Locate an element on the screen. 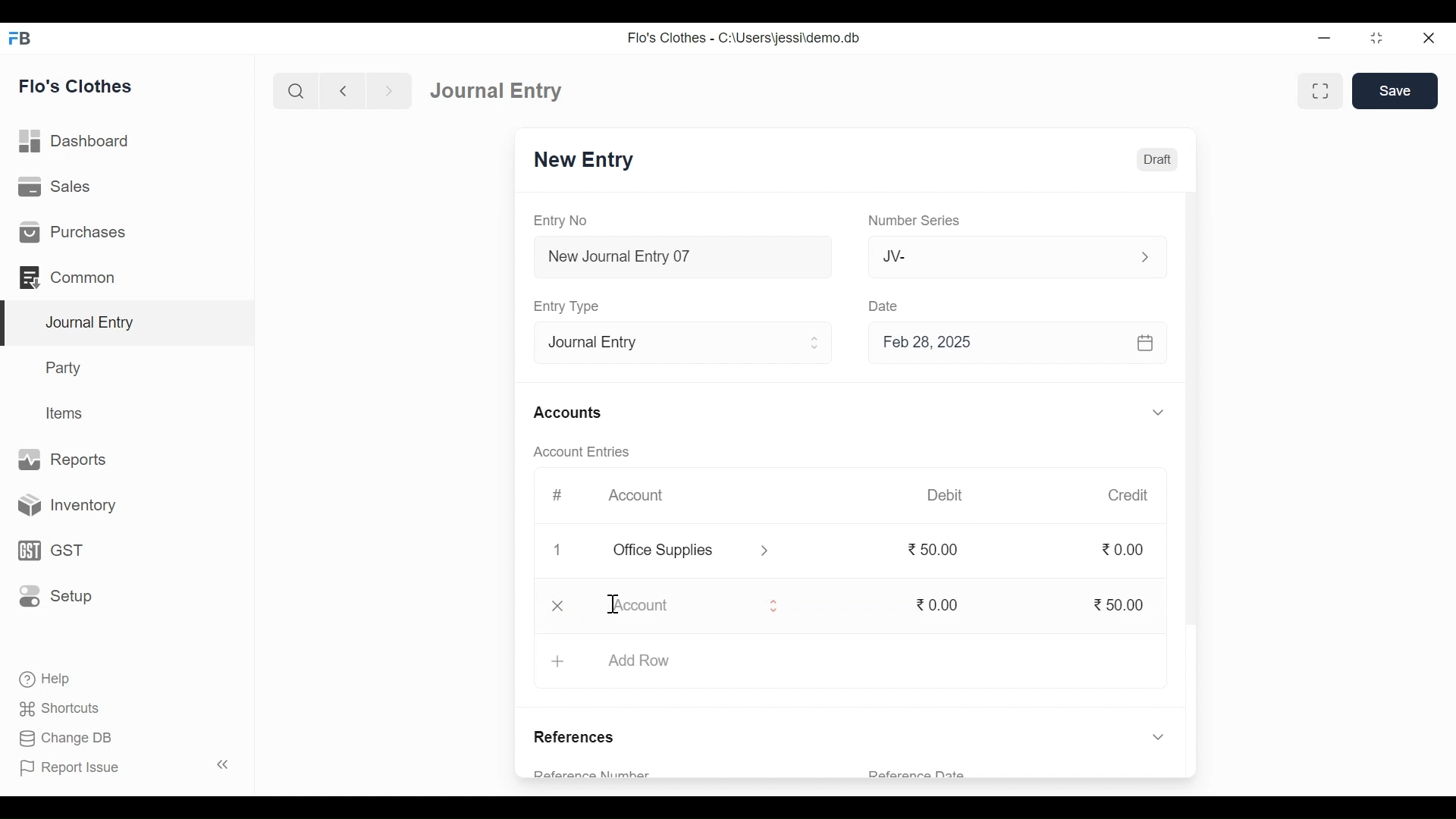 The width and height of the screenshot is (1456, 819). Insertion Cursor is located at coordinates (614, 605).